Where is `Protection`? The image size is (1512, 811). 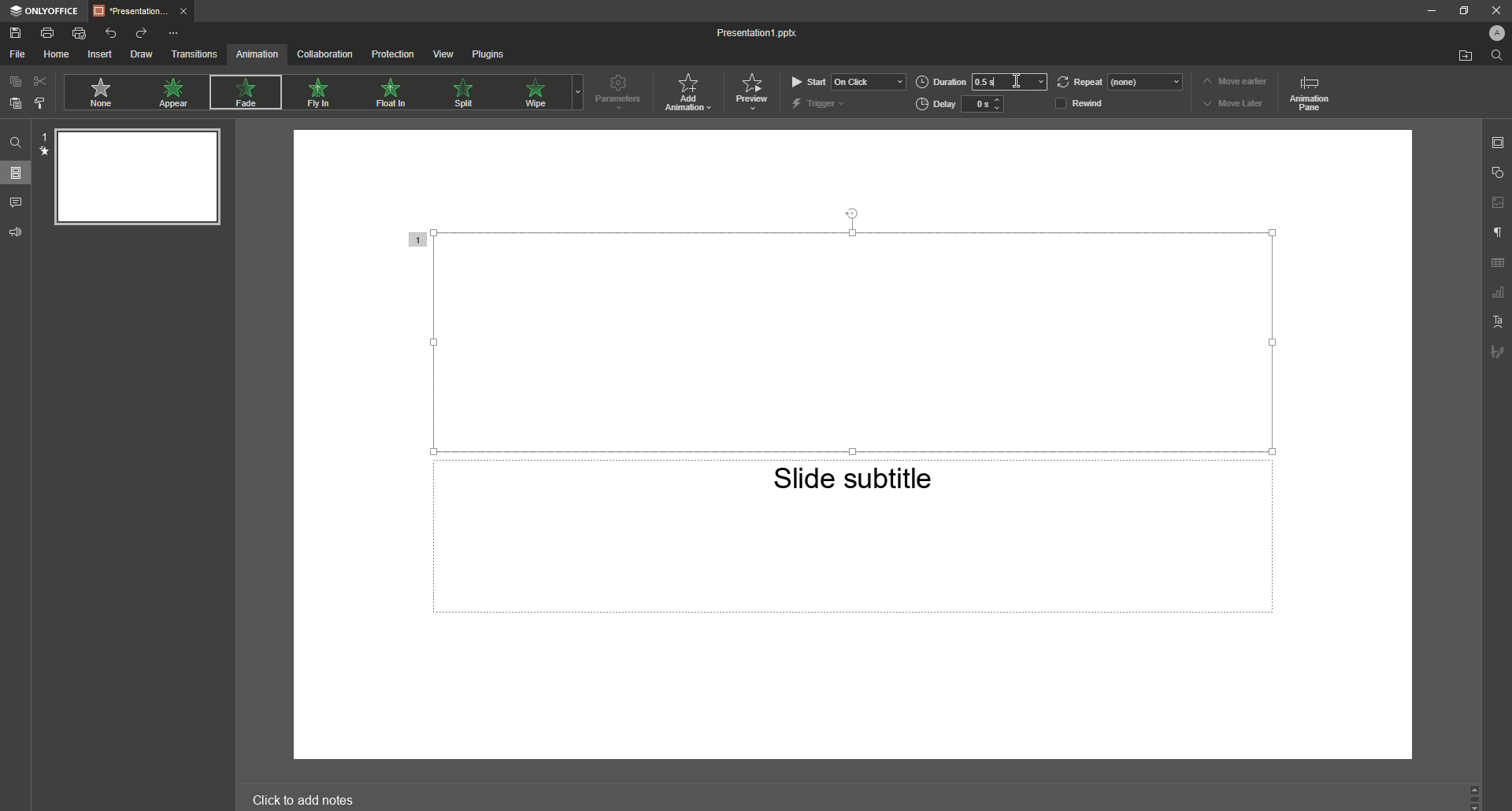
Protection is located at coordinates (392, 56).